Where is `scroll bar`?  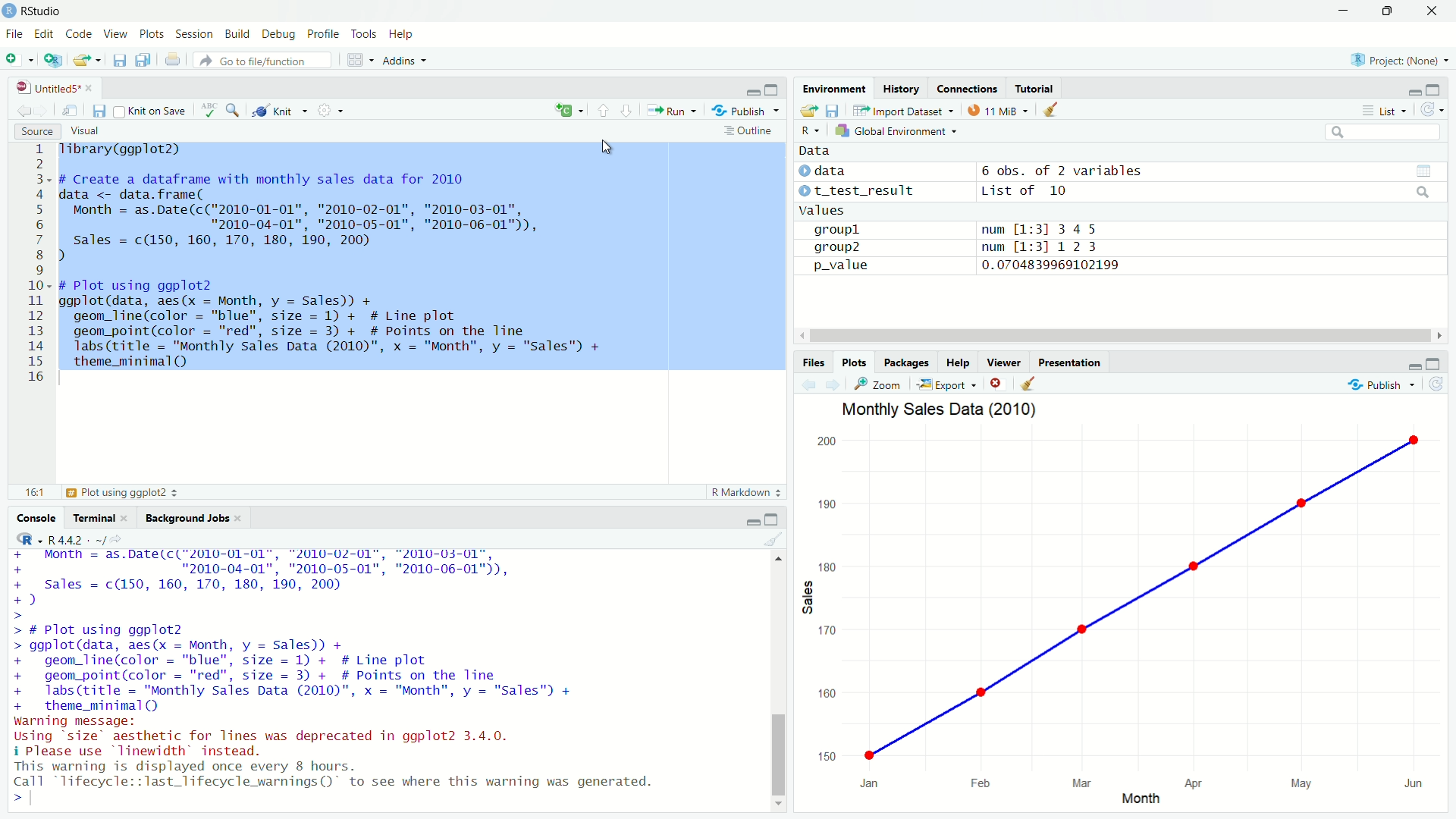
scroll bar is located at coordinates (1119, 336).